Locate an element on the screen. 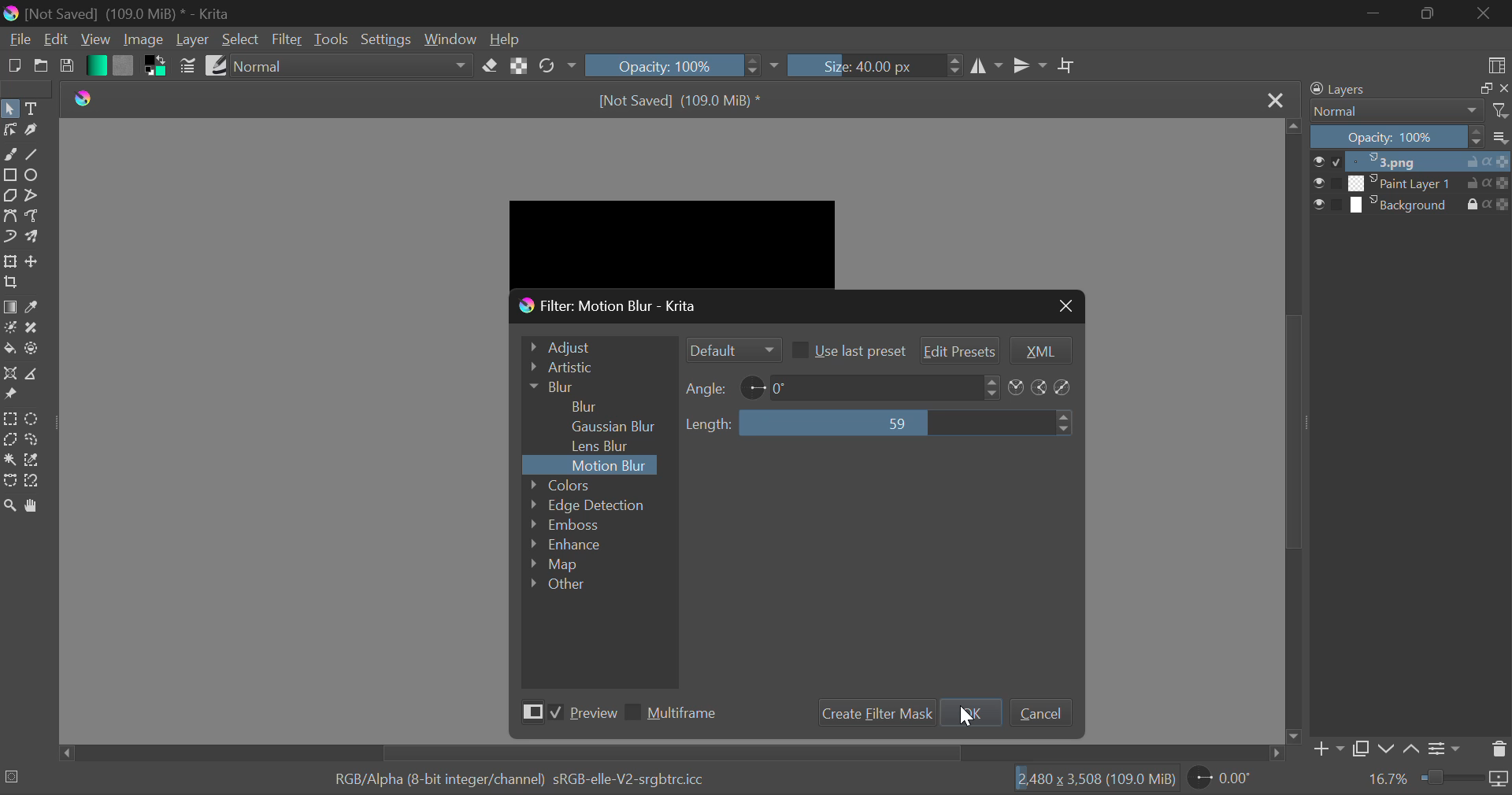 The height and width of the screenshot is (795, 1512). Filter: Motion Blur - Krita is located at coordinates (618, 305).